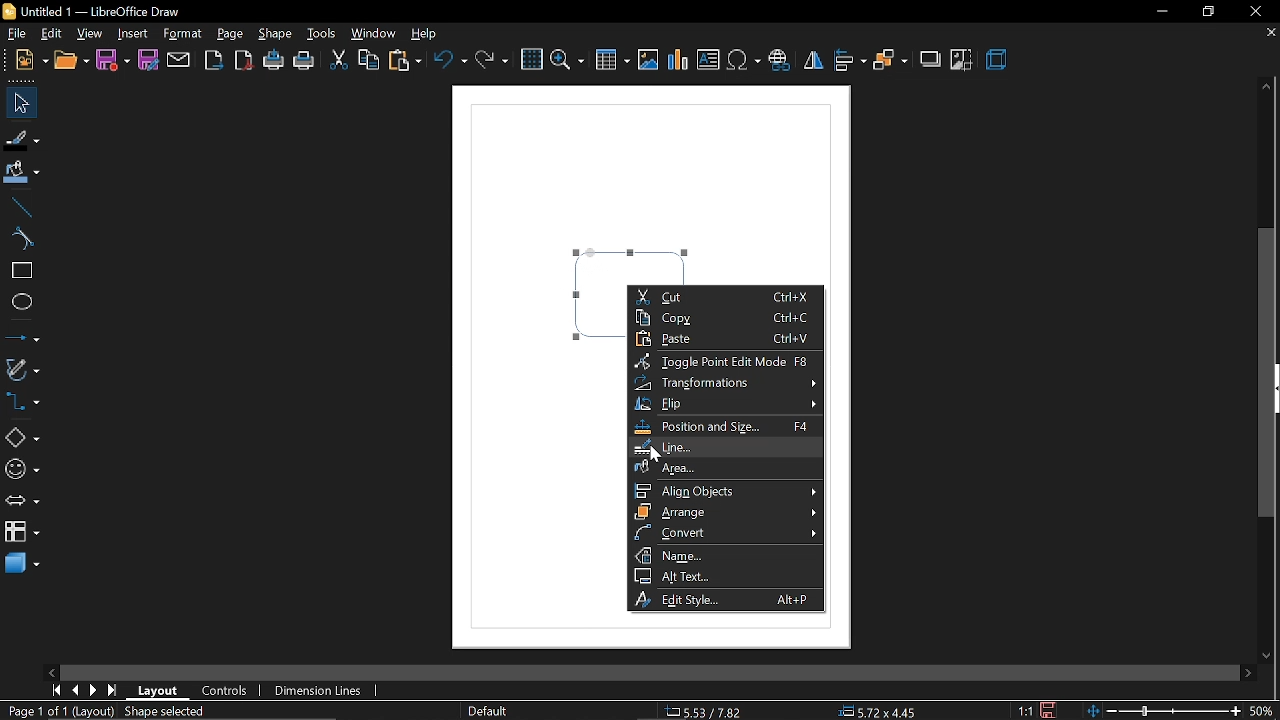 The image size is (1280, 720). What do you see at coordinates (90, 10) in the screenshot?
I see `current window` at bounding box center [90, 10].